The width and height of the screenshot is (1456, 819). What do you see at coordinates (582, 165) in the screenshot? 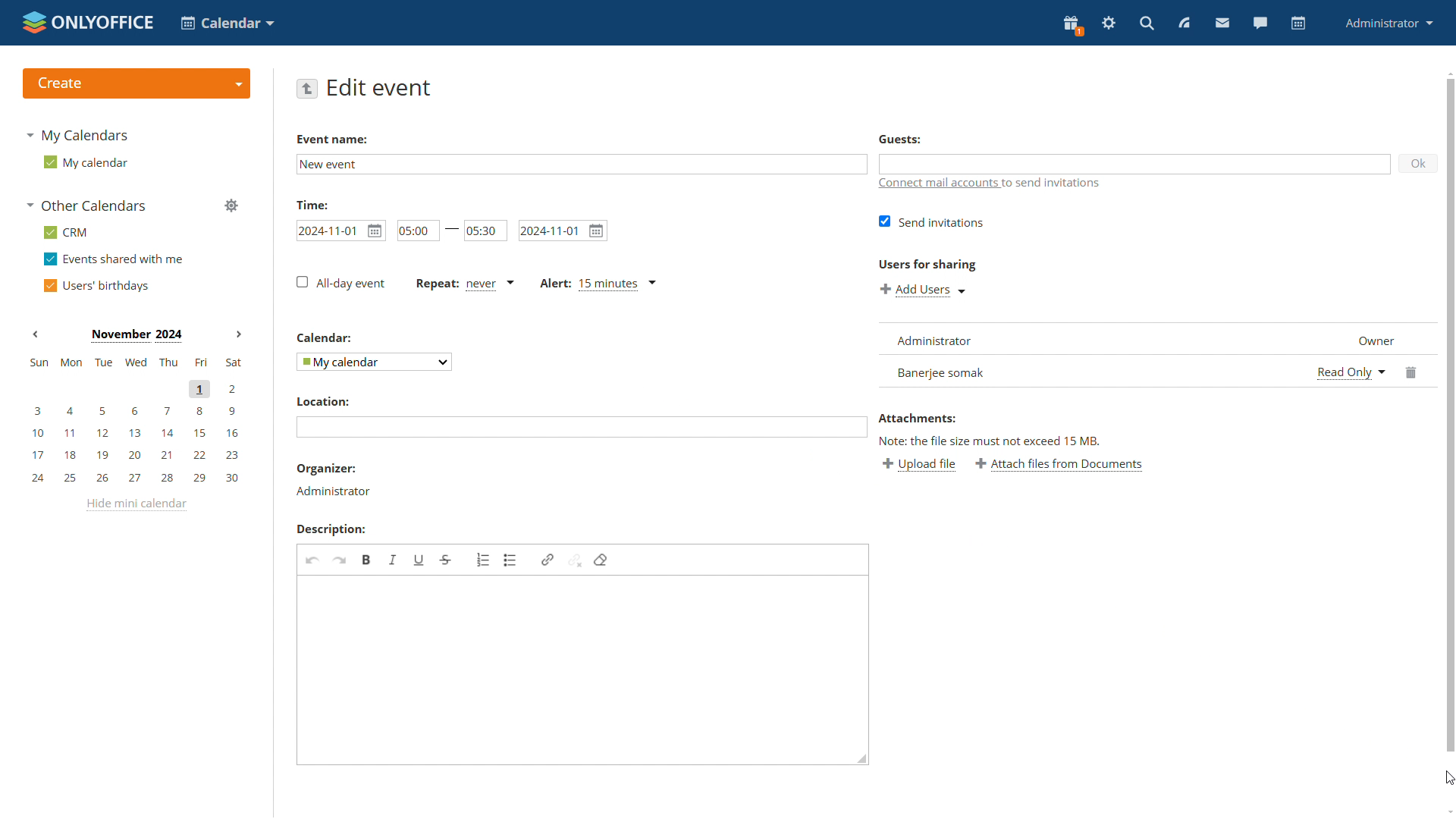
I see `edit event name` at bounding box center [582, 165].